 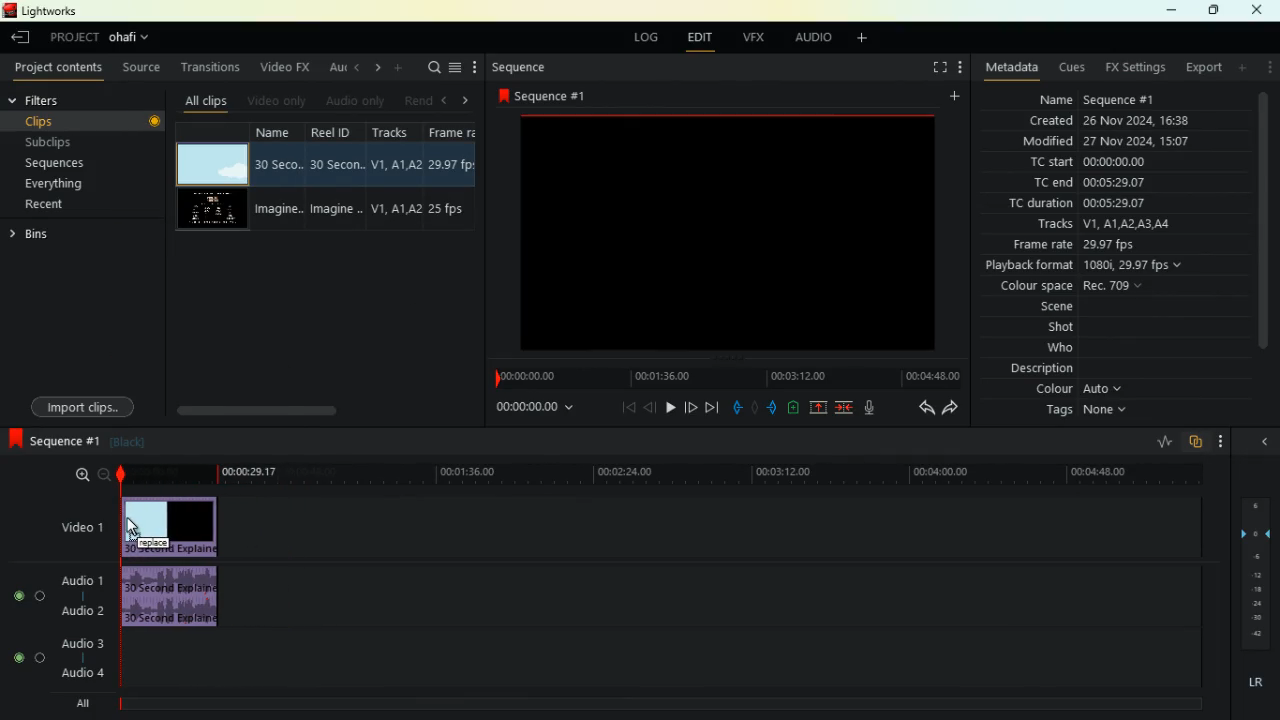 What do you see at coordinates (1057, 225) in the screenshot?
I see `tracks` at bounding box center [1057, 225].